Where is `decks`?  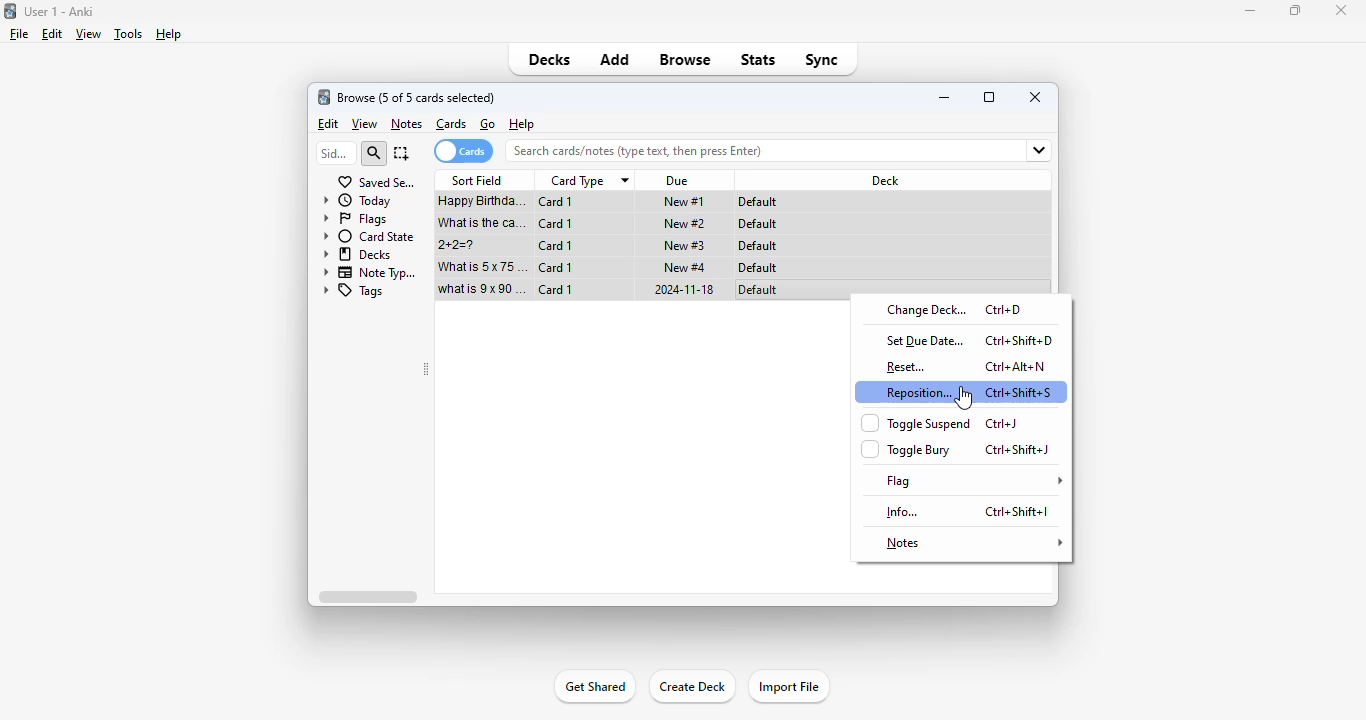
decks is located at coordinates (549, 59).